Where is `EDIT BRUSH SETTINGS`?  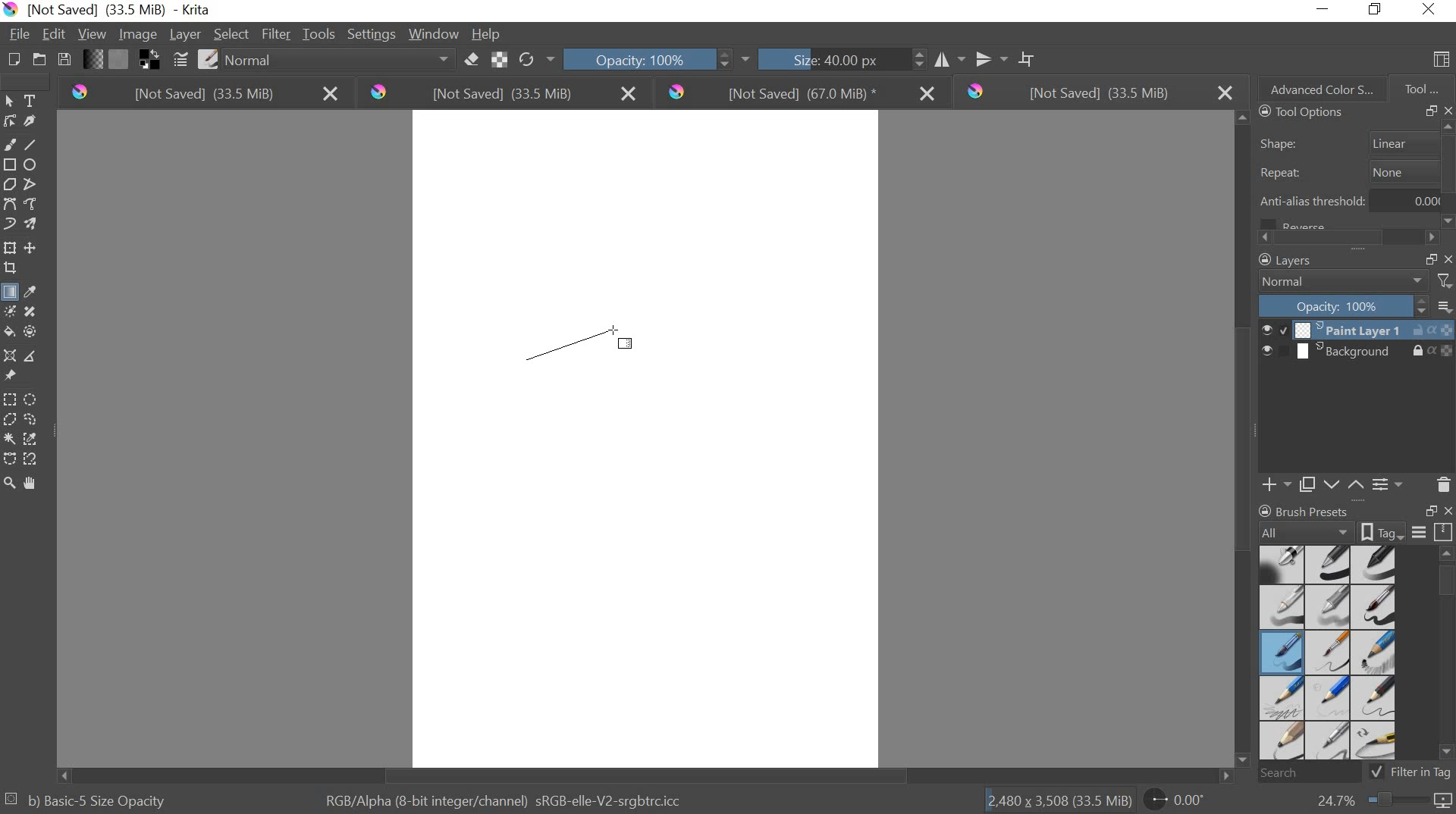 EDIT BRUSH SETTINGS is located at coordinates (178, 60).